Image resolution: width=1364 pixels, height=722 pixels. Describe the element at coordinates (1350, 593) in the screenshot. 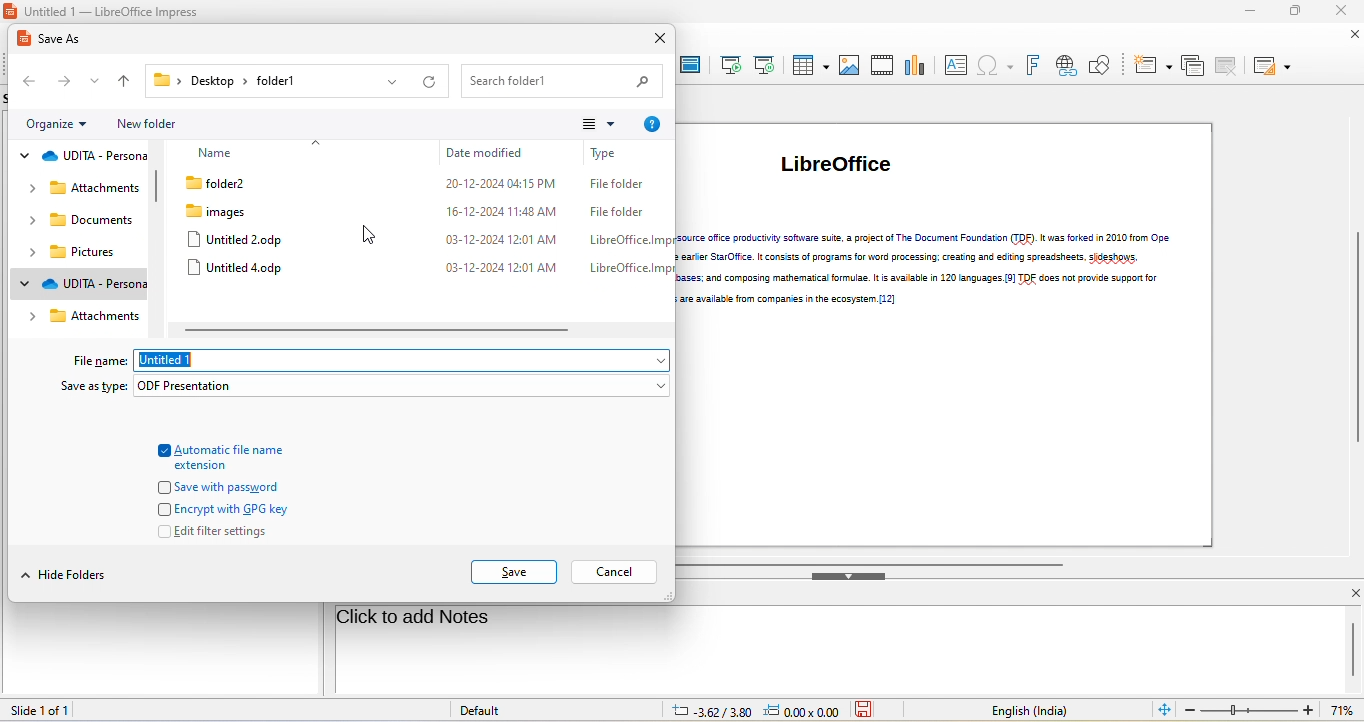

I see `close` at that location.